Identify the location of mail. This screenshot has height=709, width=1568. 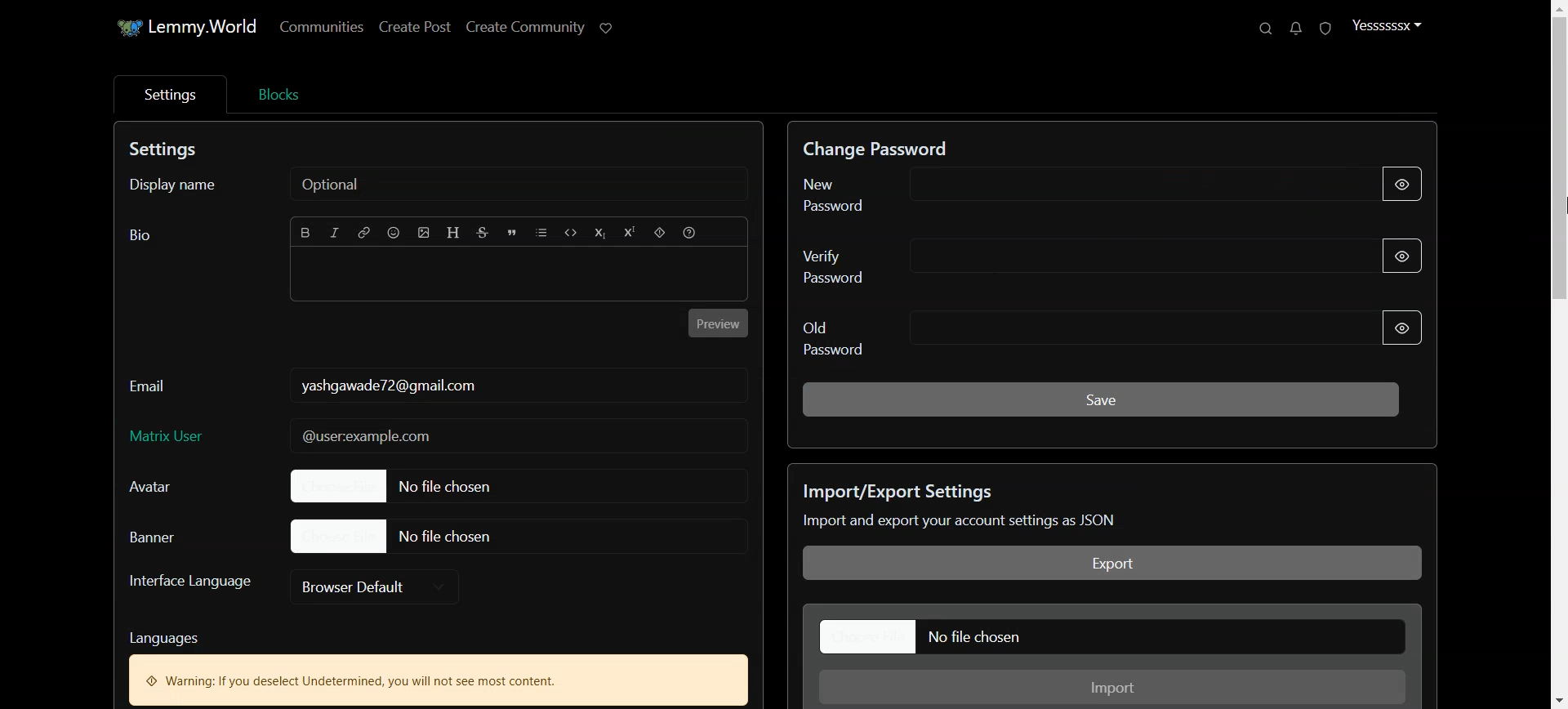
(408, 433).